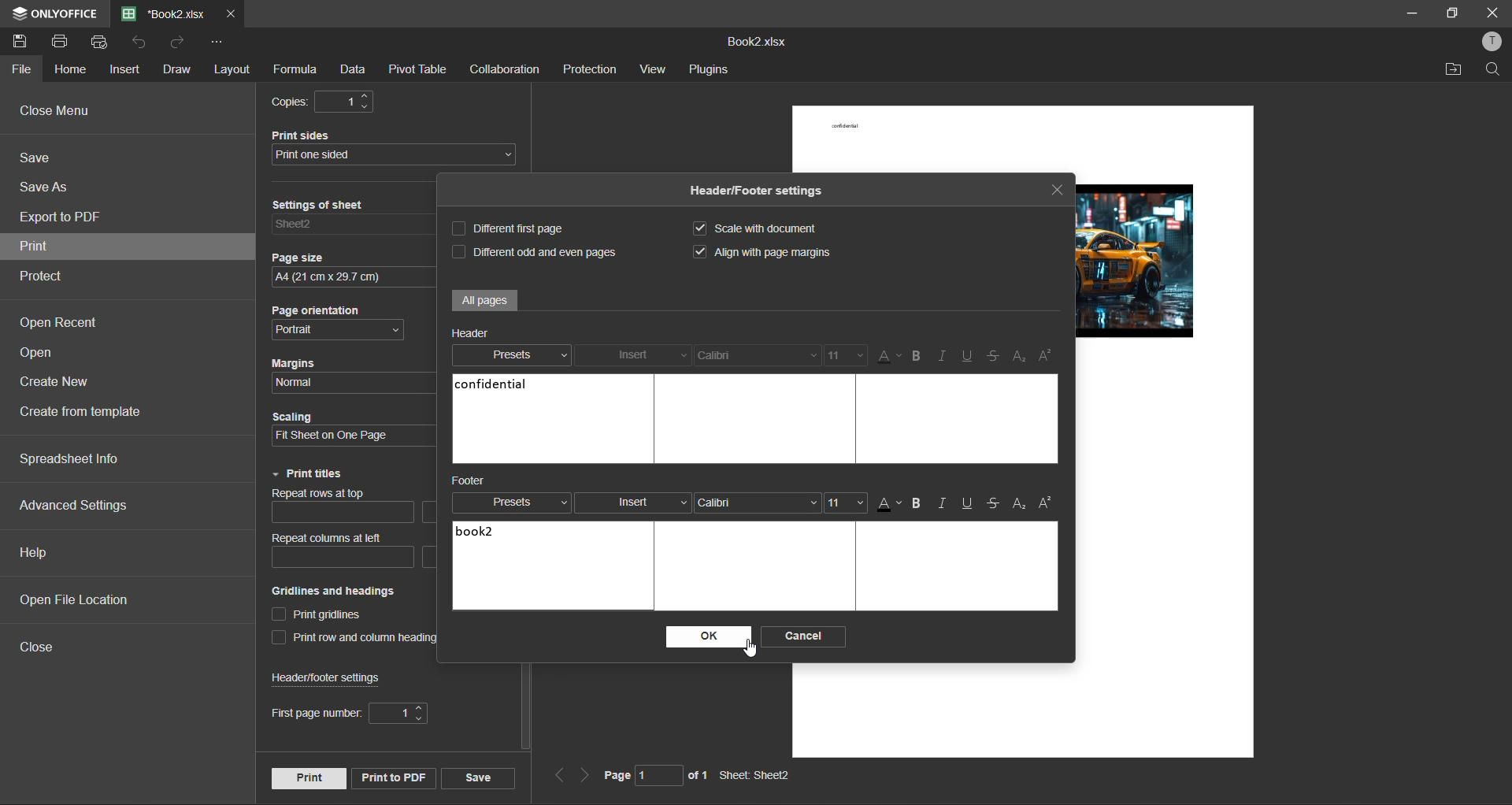  Describe the element at coordinates (90, 412) in the screenshot. I see `create from template` at that location.